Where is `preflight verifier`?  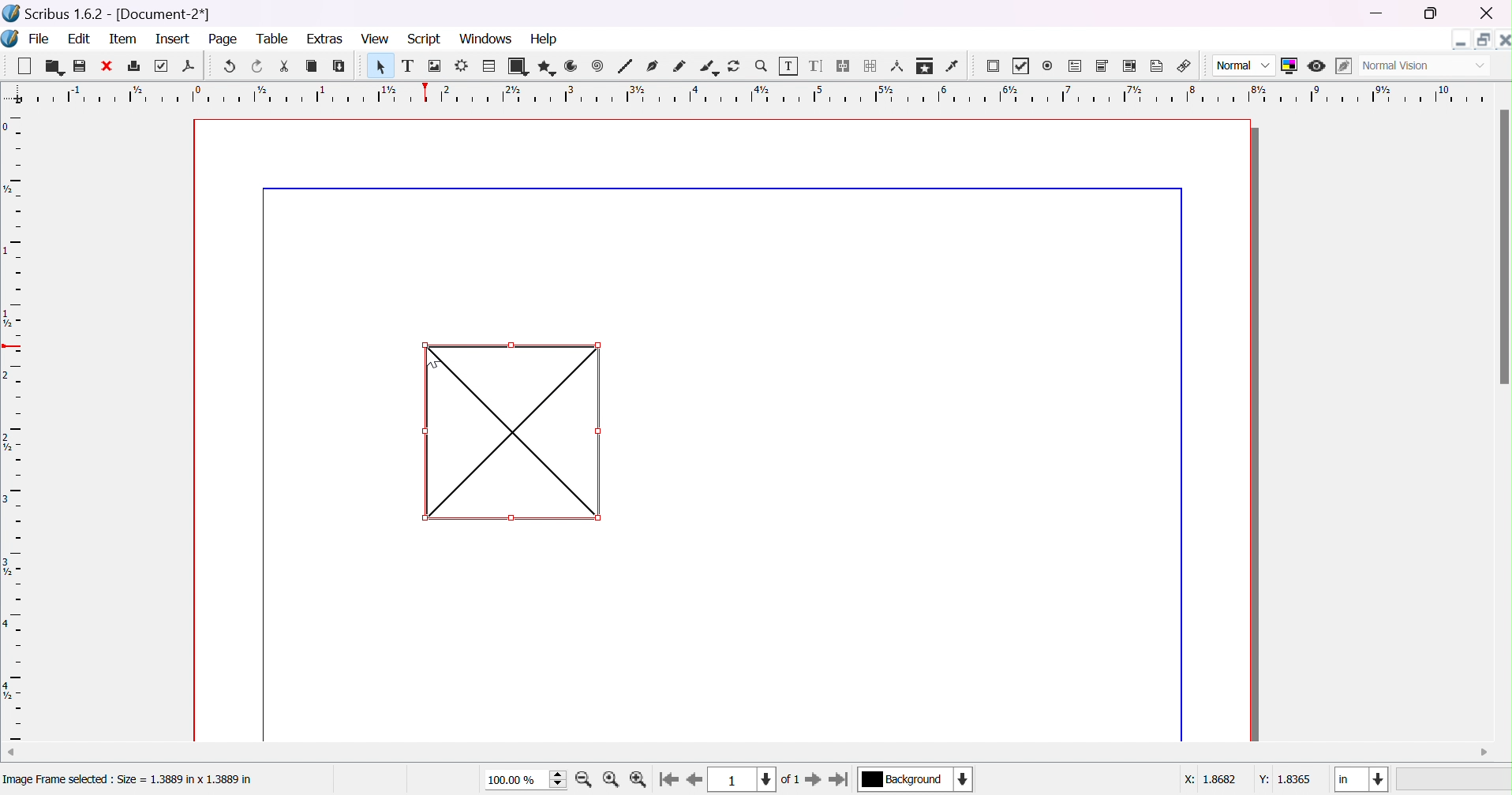
preflight verifier is located at coordinates (163, 66).